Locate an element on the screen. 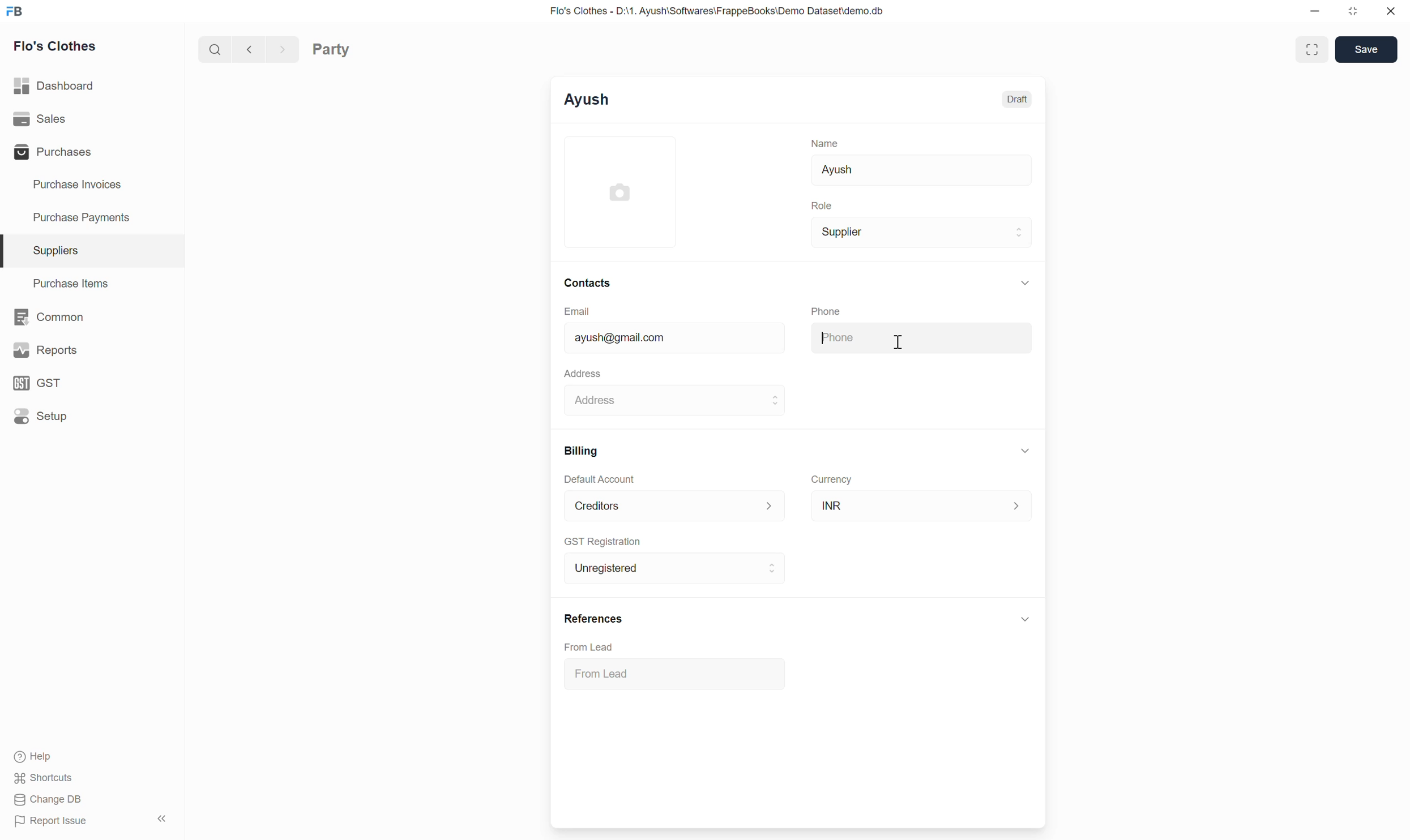  Collapse sidebar is located at coordinates (162, 818).